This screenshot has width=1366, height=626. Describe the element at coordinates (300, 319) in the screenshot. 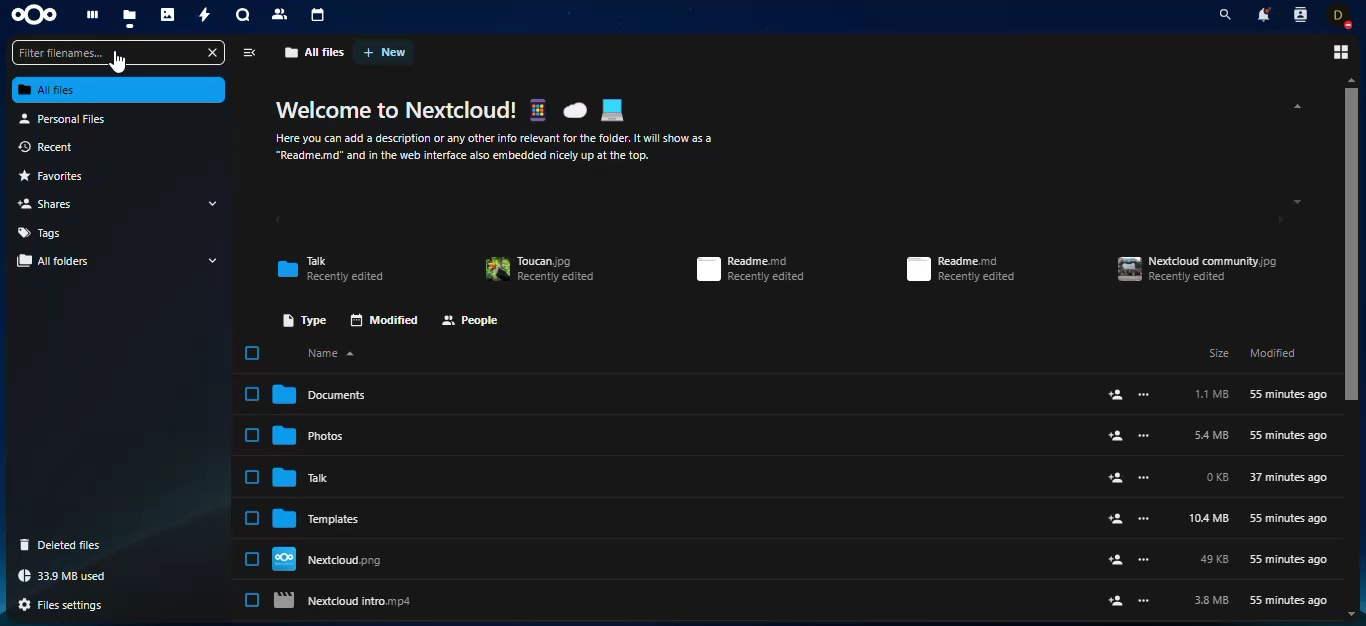

I see `type` at that location.